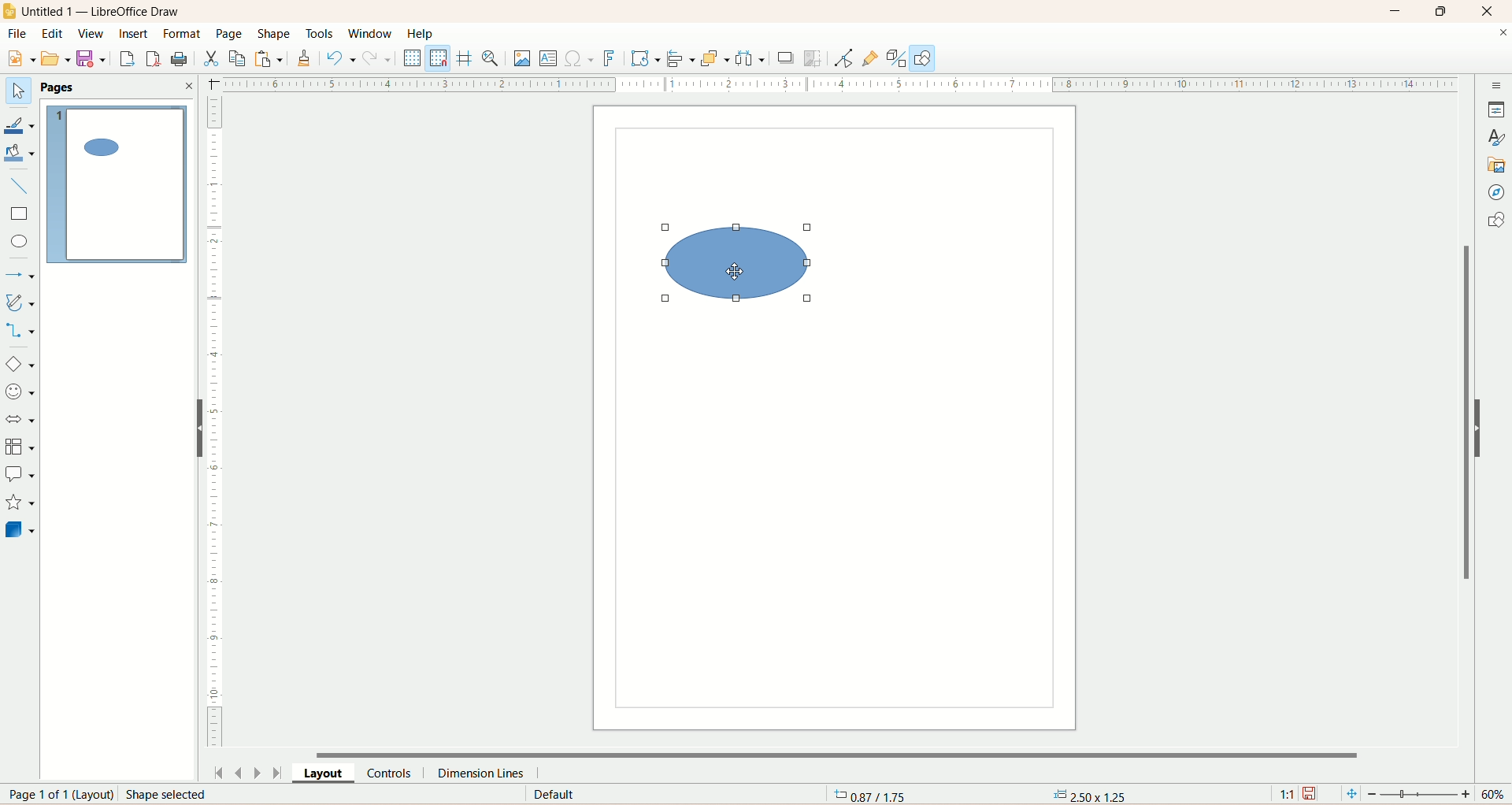 This screenshot has height=805, width=1512. Describe the element at coordinates (465, 60) in the screenshot. I see `helpline` at that location.